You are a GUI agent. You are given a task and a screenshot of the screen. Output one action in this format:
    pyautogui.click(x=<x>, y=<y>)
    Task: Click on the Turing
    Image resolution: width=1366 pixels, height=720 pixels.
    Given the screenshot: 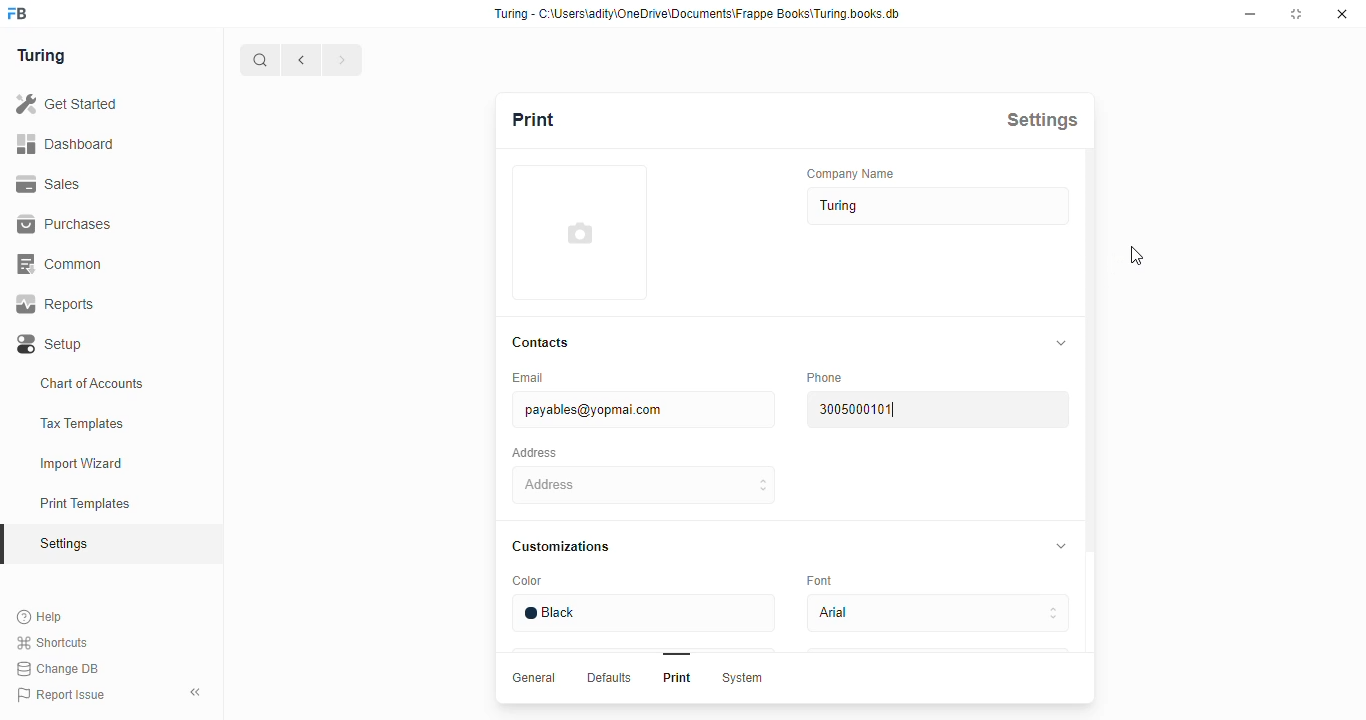 What is the action you would take?
    pyautogui.click(x=47, y=56)
    